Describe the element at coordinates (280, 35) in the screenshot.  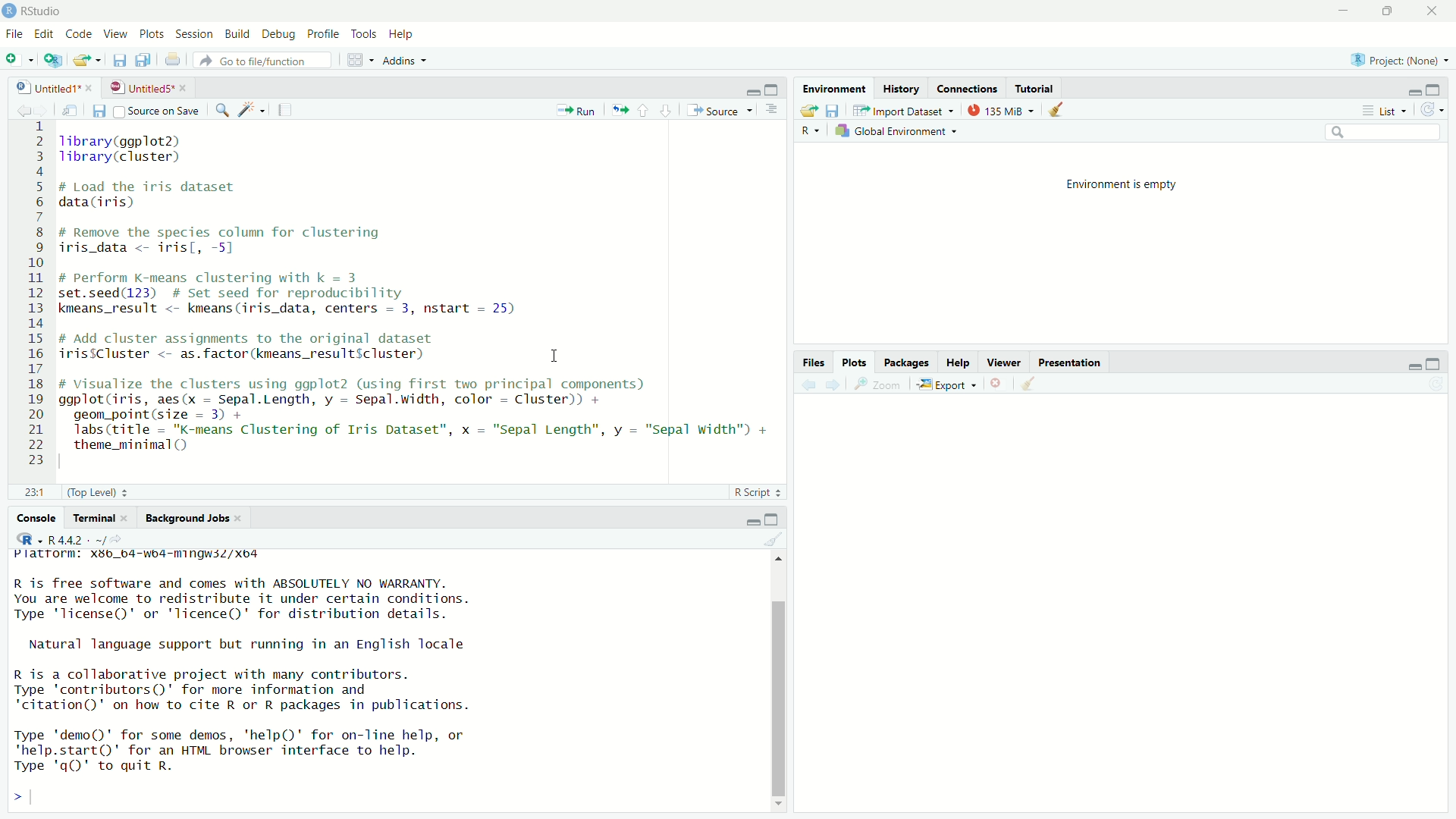
I see `debug` at that location.